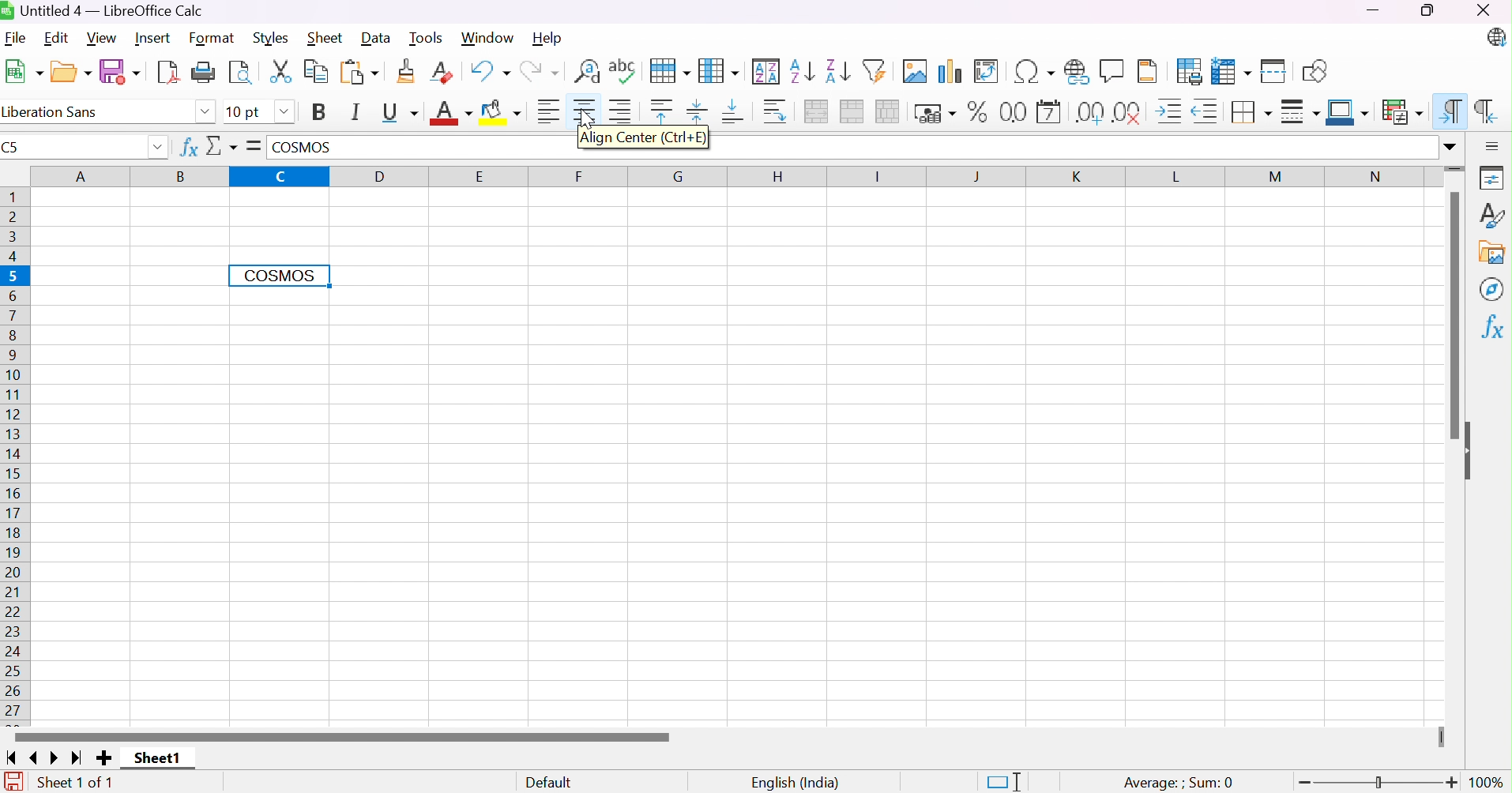  I want to click on Toggle Print Preview, so click(239, 73).